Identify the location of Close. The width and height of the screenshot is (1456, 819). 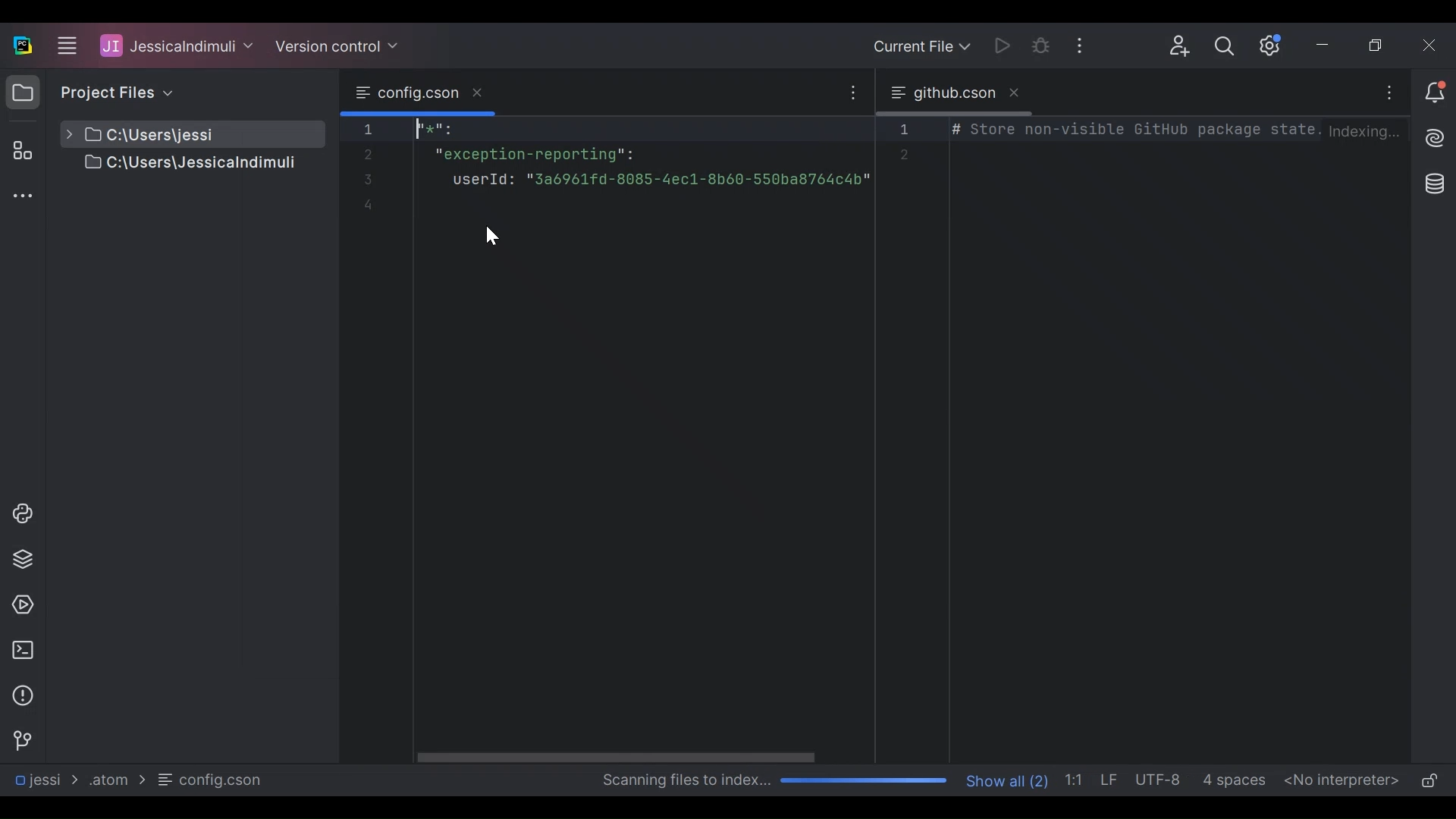
(1432, 45).